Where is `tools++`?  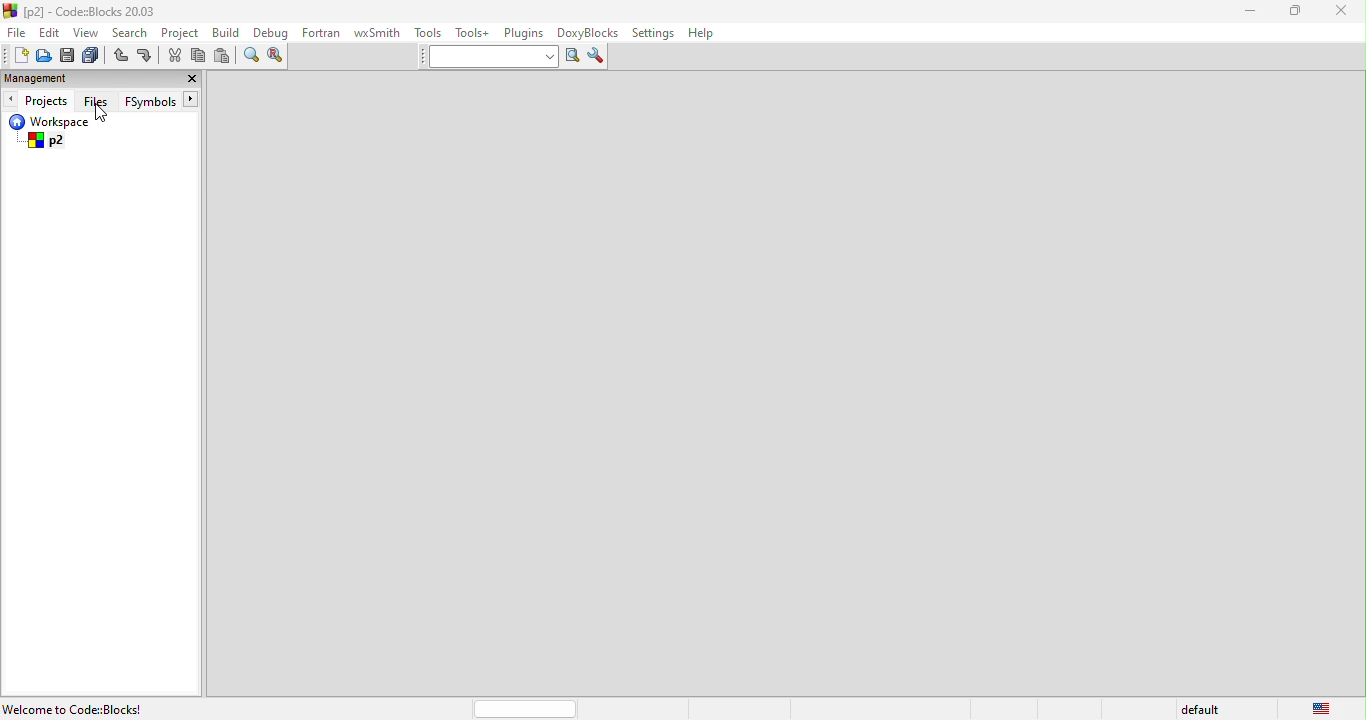
tools++ is located at coordinates (471, 32).